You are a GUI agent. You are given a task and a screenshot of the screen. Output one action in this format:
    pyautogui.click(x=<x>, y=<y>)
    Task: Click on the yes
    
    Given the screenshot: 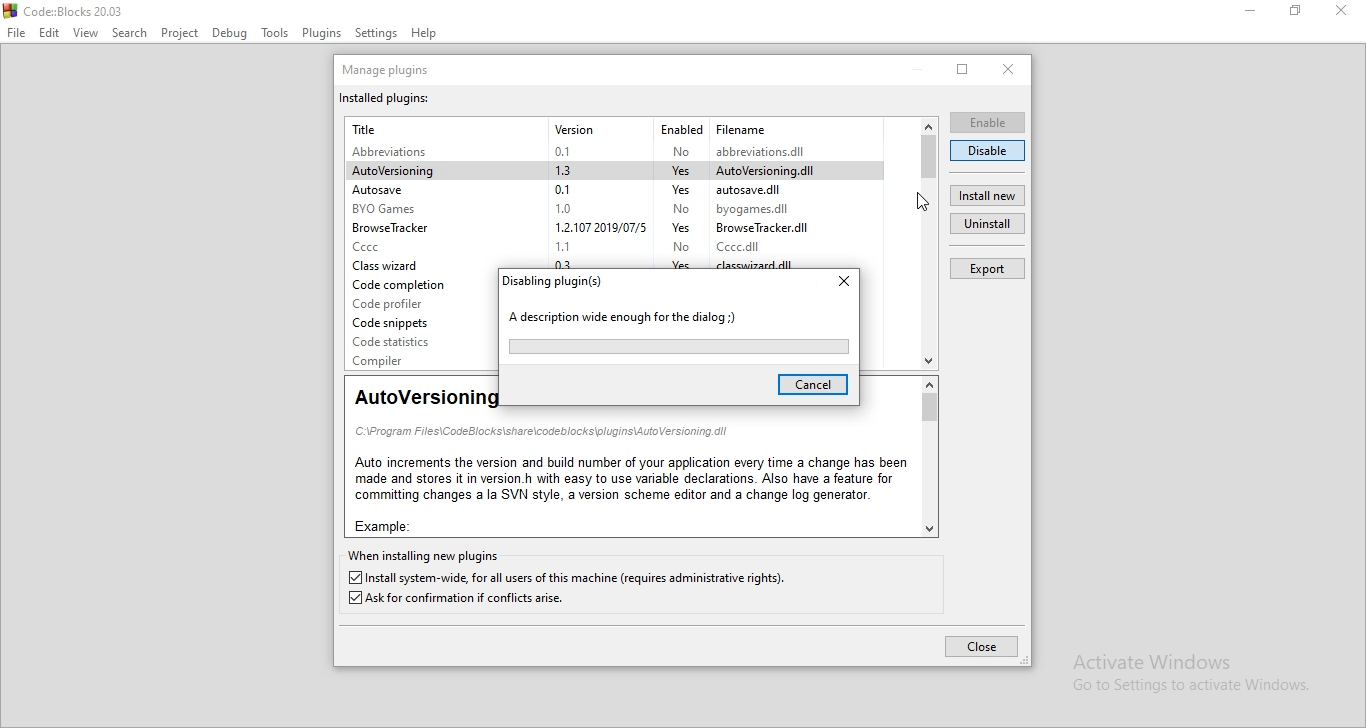 What is the action you would take?
    pyautogui.click(x=678, y=265)
    